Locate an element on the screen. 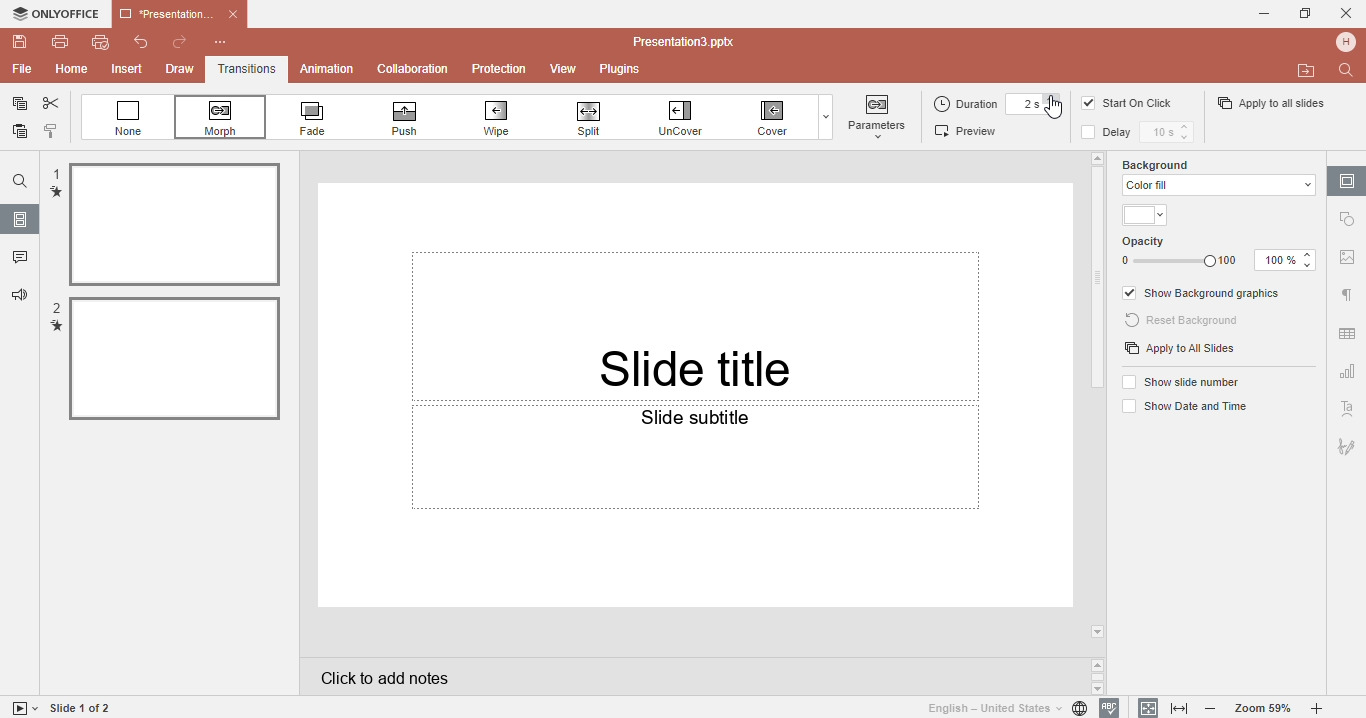 This screenshot has height=718, width=1366. Duration is located at coordinates (999, 104).